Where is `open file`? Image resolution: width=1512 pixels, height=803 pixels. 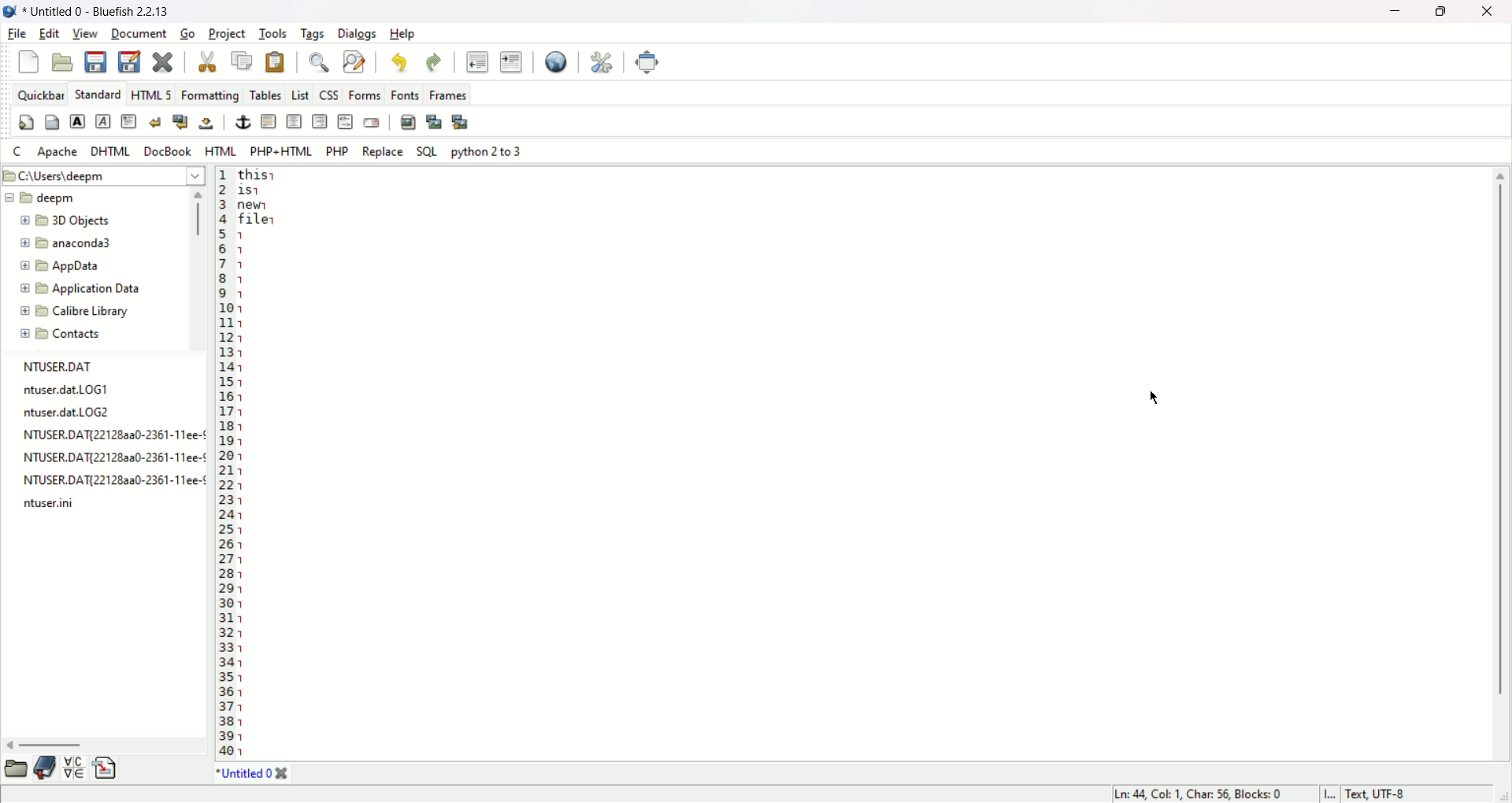 open file is located at coordinates (63, 61).